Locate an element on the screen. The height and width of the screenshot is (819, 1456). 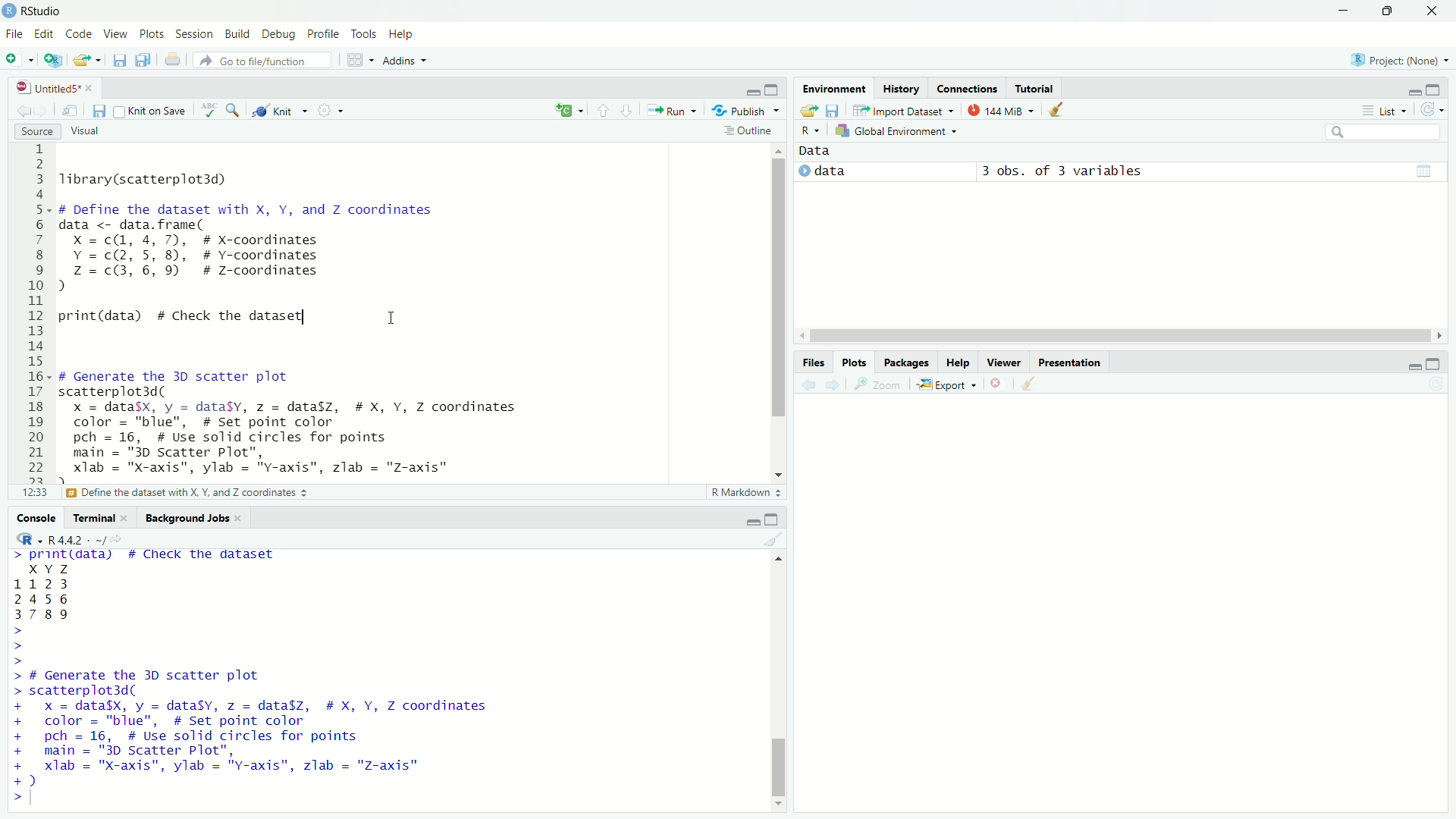
> # Generate the 5D scatter plot

> scatterplot3d(

+ x = data$X, y = dataSy, z = data$z, # X, Y, Z coordinates
+ color = "blue", # Set point color

+ pch = 16, # Use solid circles for points

+ main = "3D Scatter Plot",

+ xlab = "x-axis", ylab = "y-axis", zlab = "z-axis"

+) is located at coordinates (276, 728).